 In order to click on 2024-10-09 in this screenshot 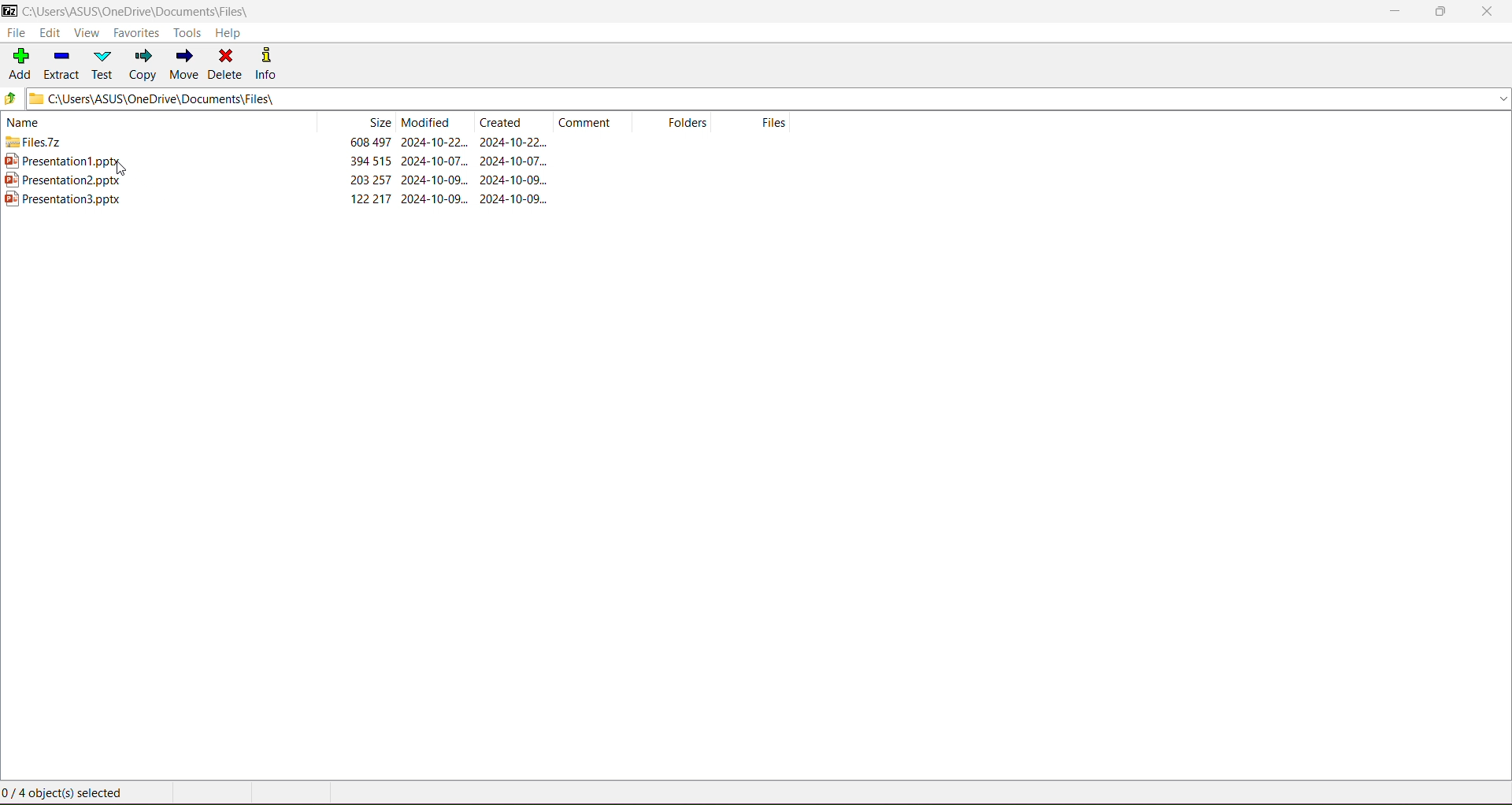, I will do `click(435, 180)`.